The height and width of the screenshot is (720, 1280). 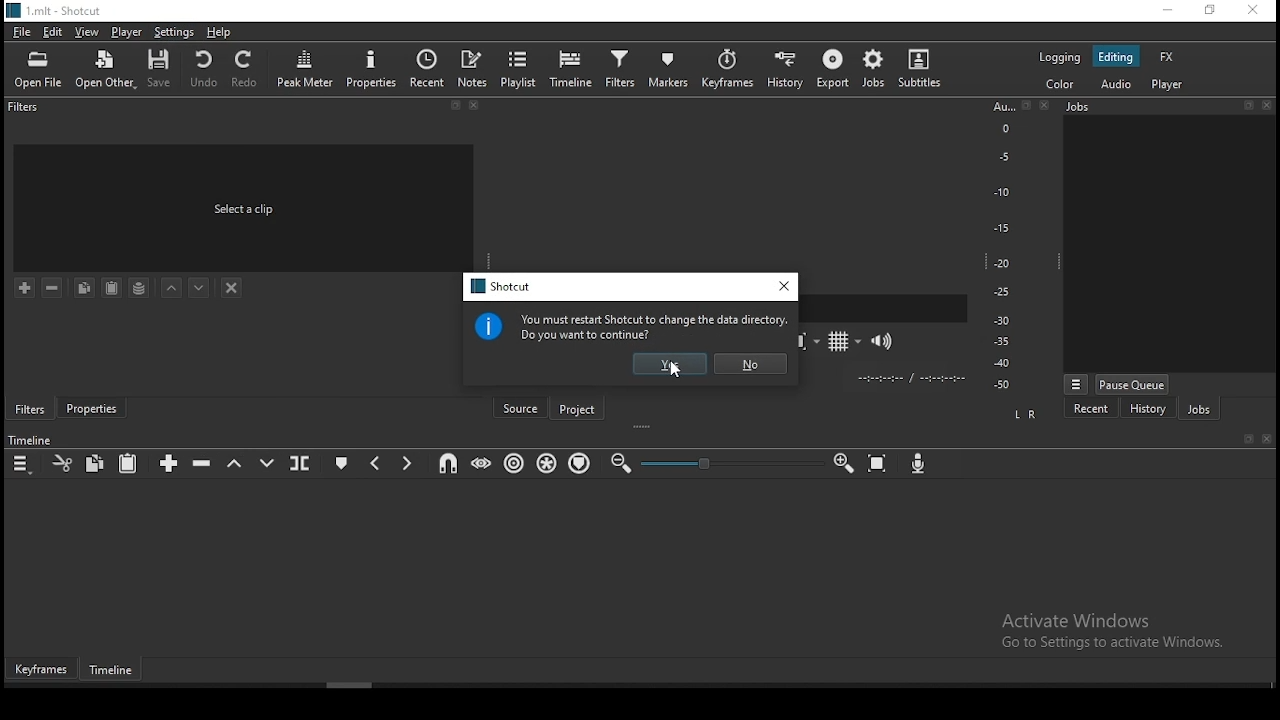 What do you see at coordinates (671, 69) in the screenshot?
I see `markers` at bounding box center [671, 69].